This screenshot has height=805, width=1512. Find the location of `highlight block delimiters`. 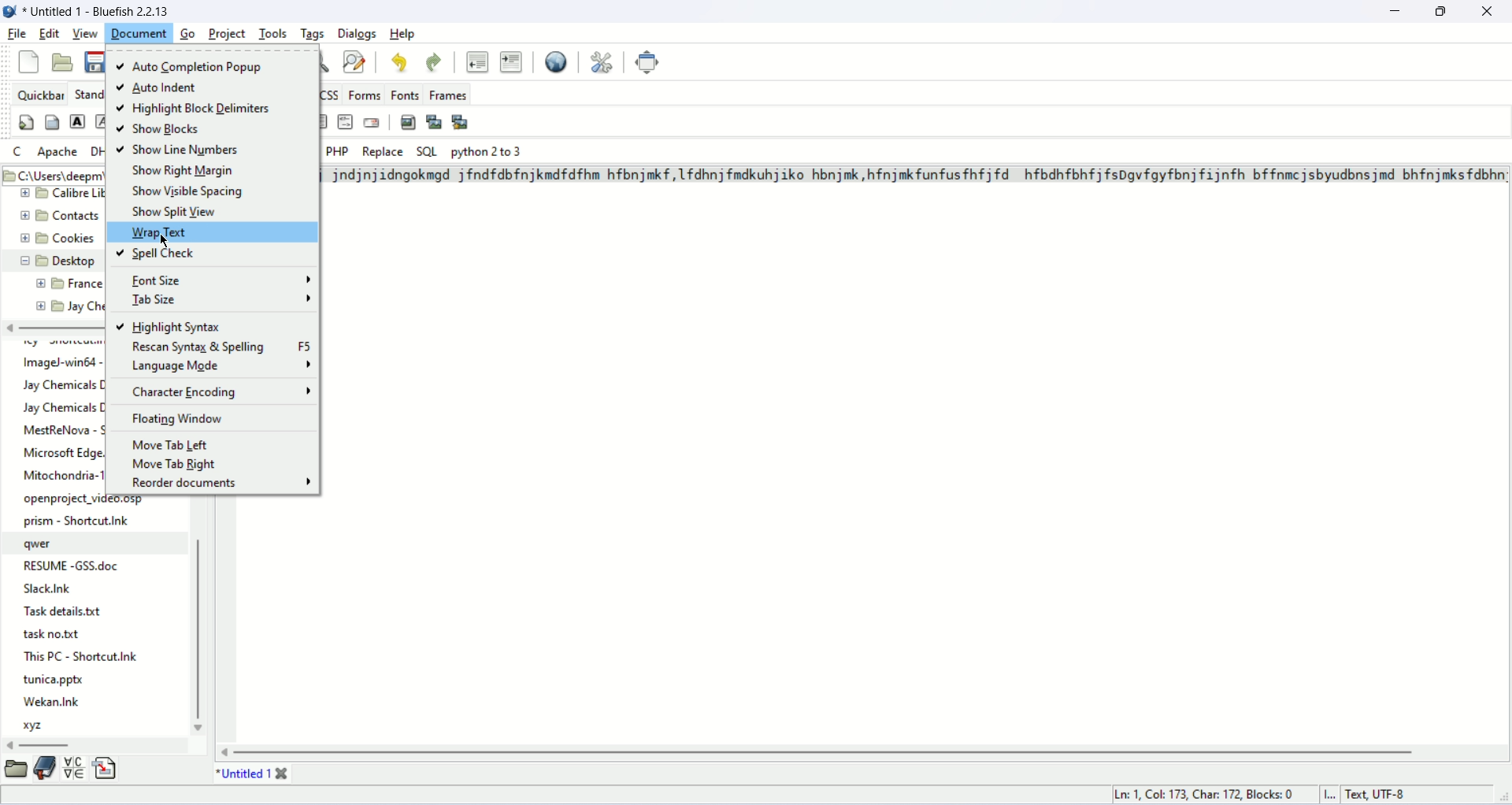

highlight block delimiters is located at coordinates (193, 109).